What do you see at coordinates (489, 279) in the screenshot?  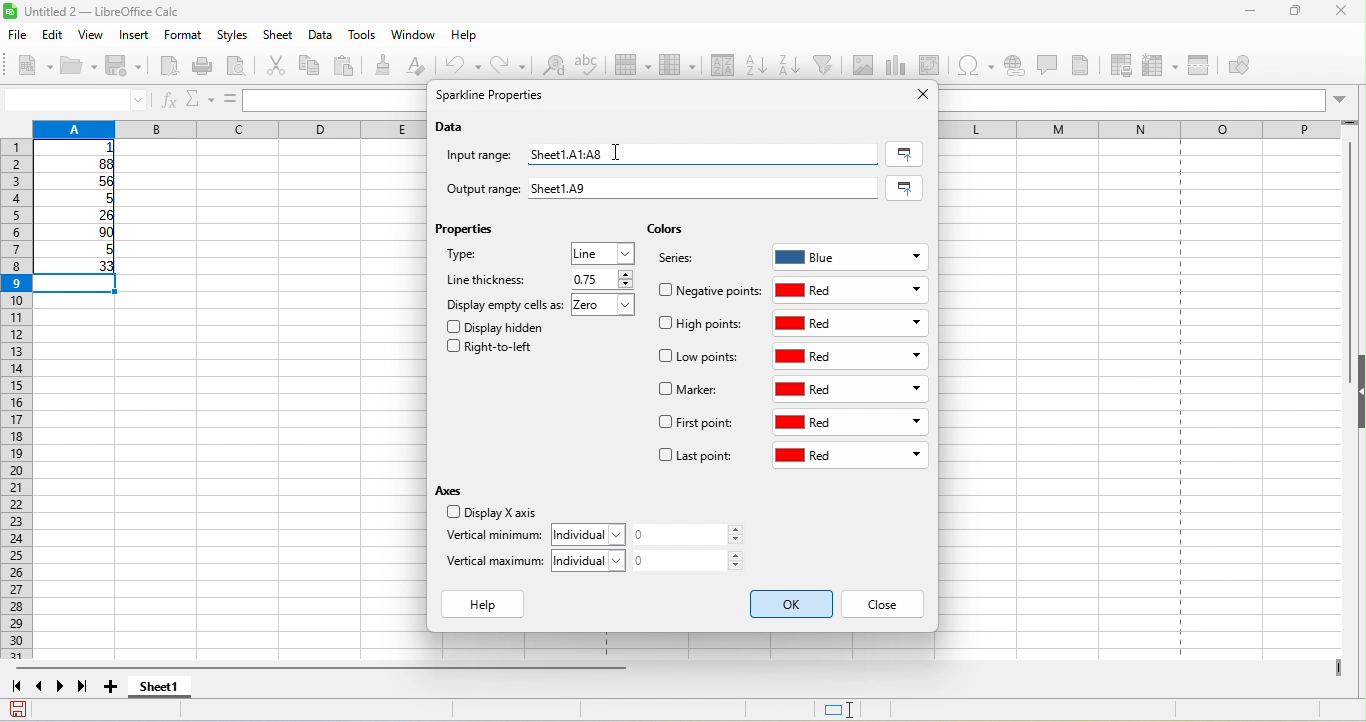 I see `line thickness` at bounding box center [489, 279].